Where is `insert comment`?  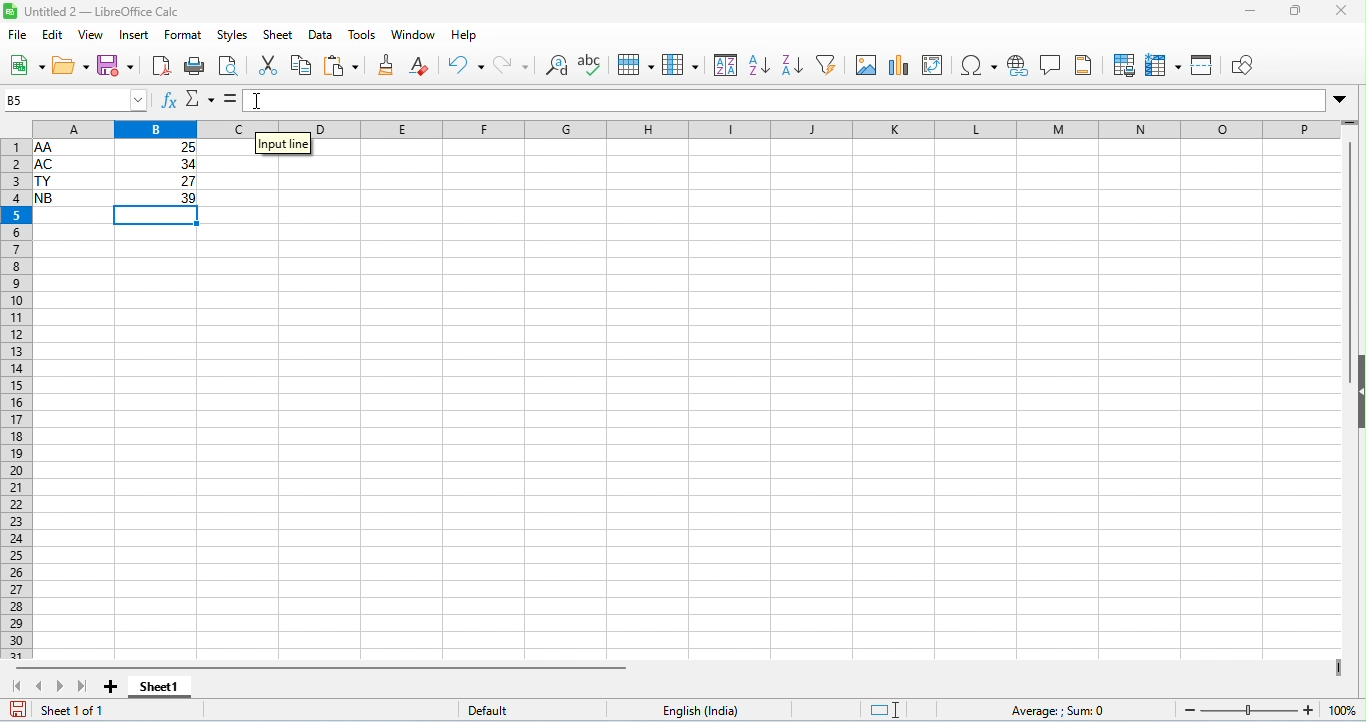
insert comment is located at coordinates (1050, 65).